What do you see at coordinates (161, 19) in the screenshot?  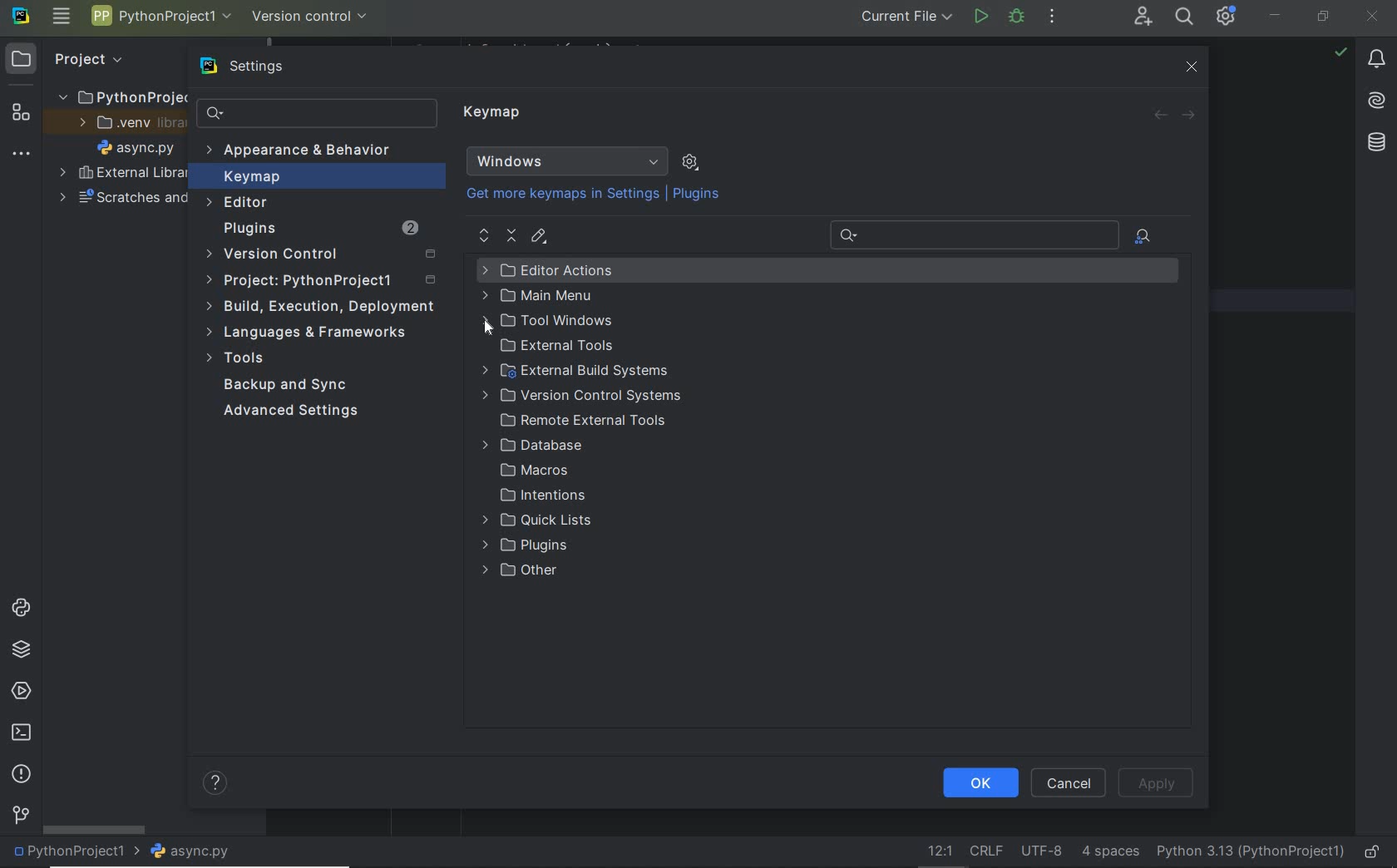 I see `Project name` at bounding box center [161, 19].